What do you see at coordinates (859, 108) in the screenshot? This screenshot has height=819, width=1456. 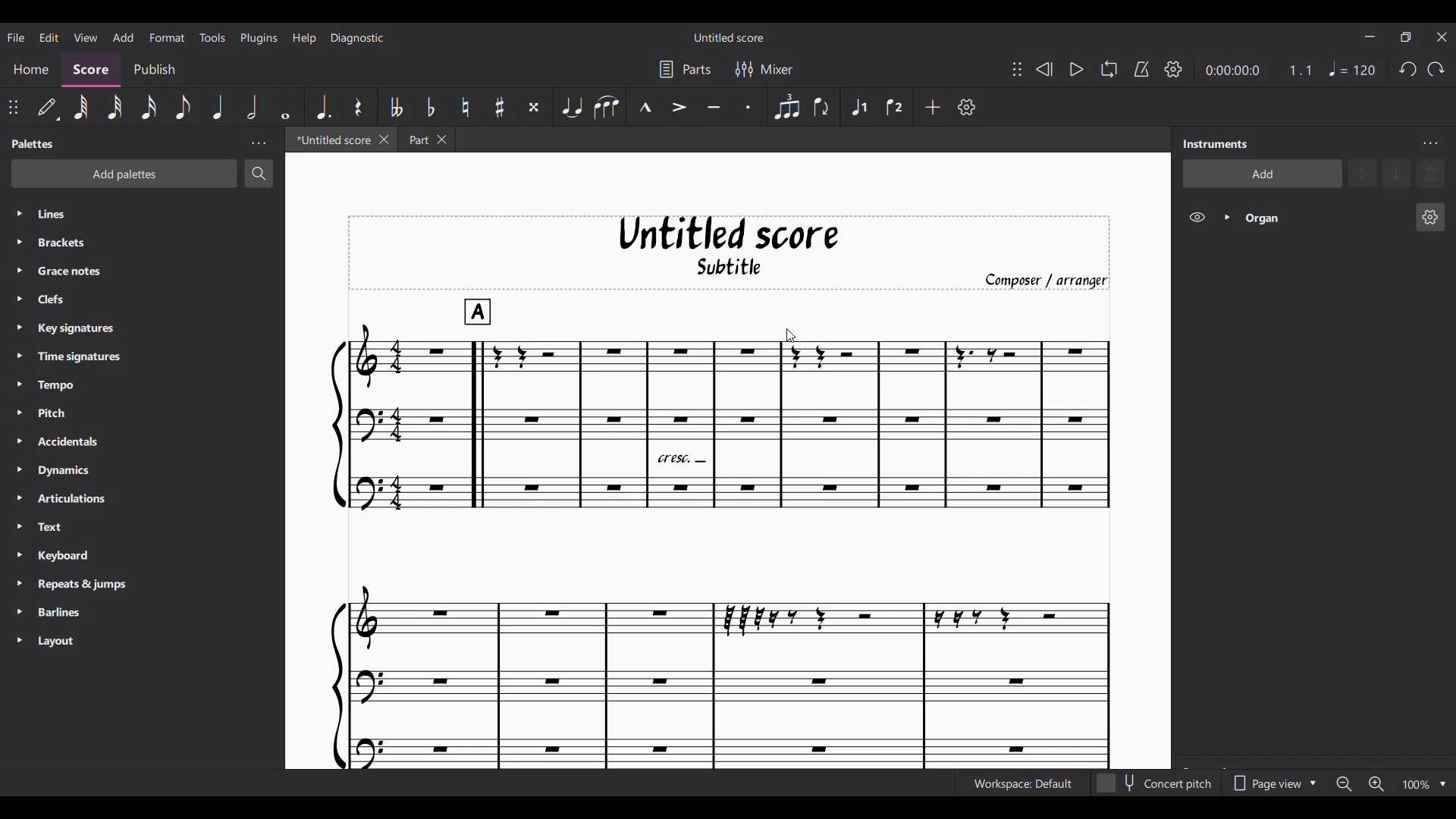 I see `Voice 1` at bounding box center [859, 108].